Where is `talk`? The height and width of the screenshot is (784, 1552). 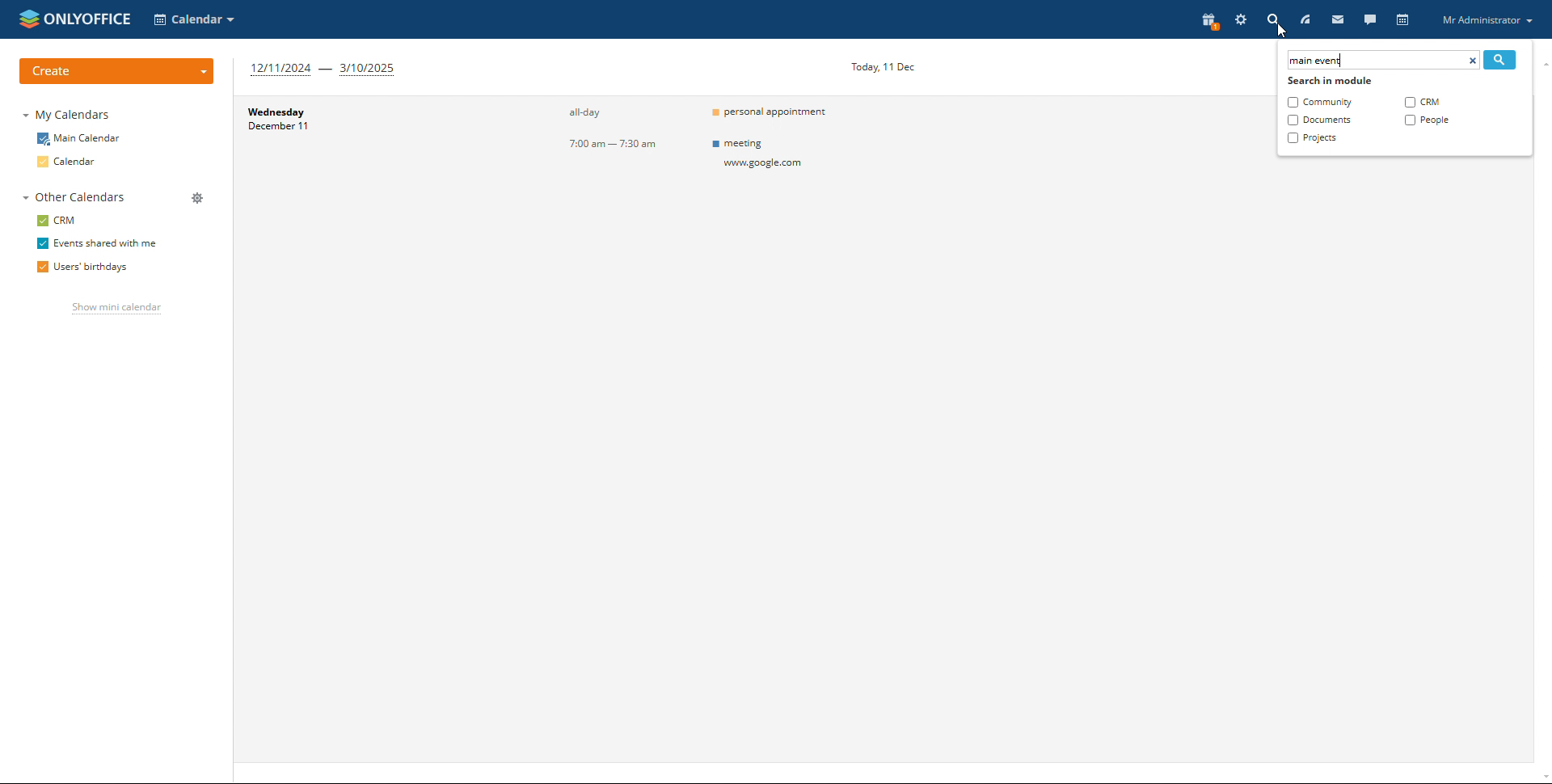 talk is located at coordinates (1369, 19).